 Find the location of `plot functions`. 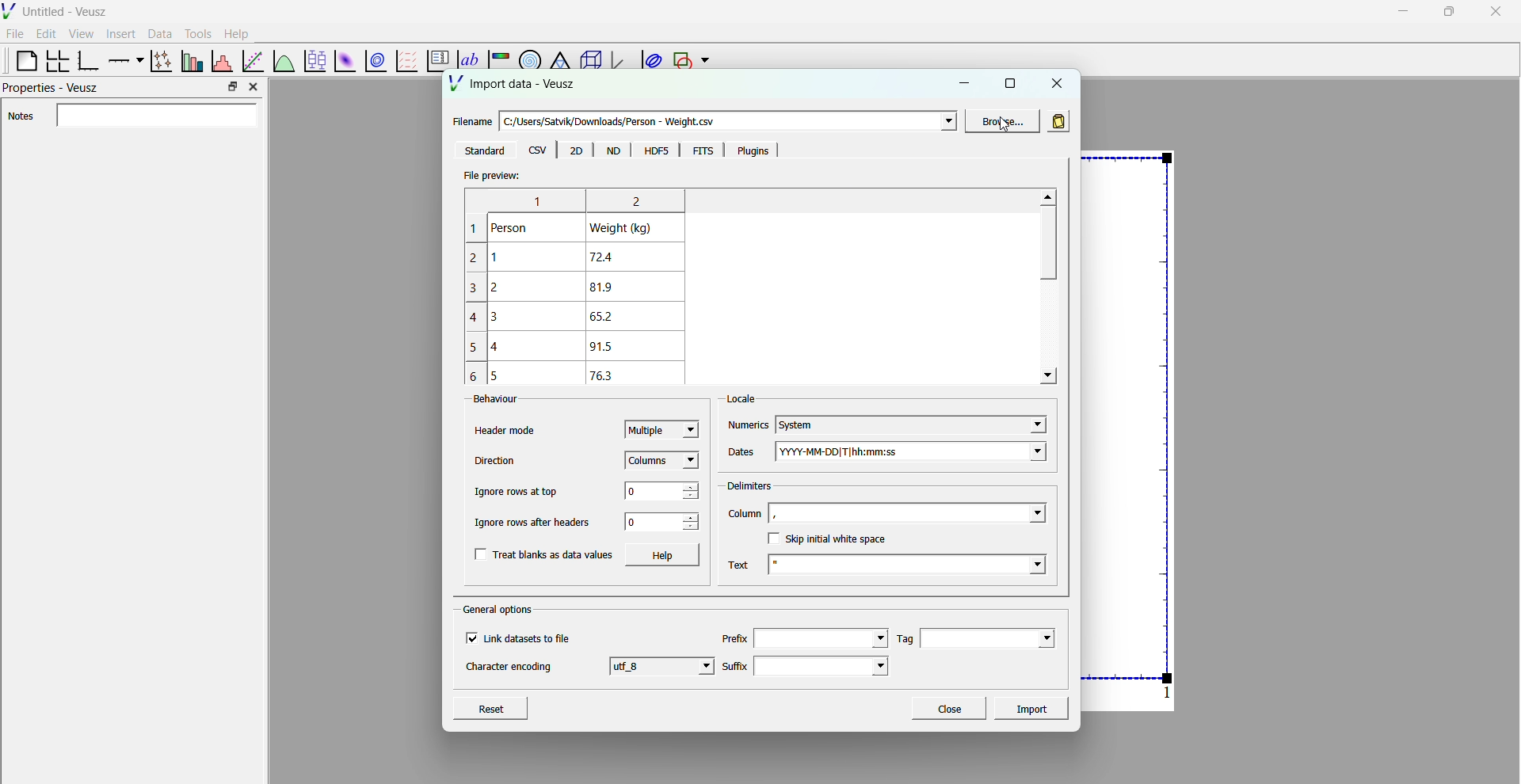

plot functions is located at coordinates (283, 60).